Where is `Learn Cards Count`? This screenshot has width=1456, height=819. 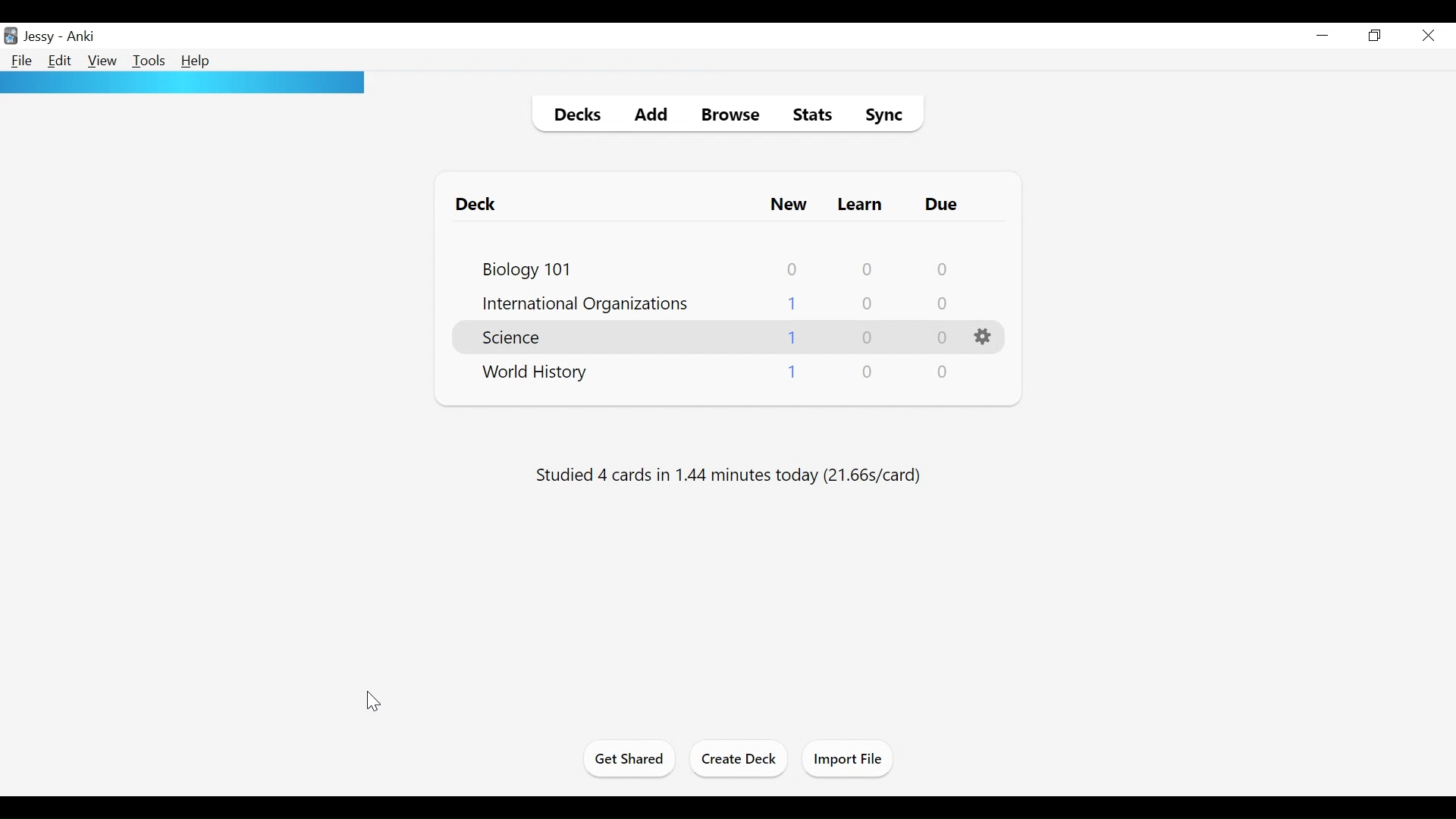
Learn Cards Count is located at coordinates (868, 305).